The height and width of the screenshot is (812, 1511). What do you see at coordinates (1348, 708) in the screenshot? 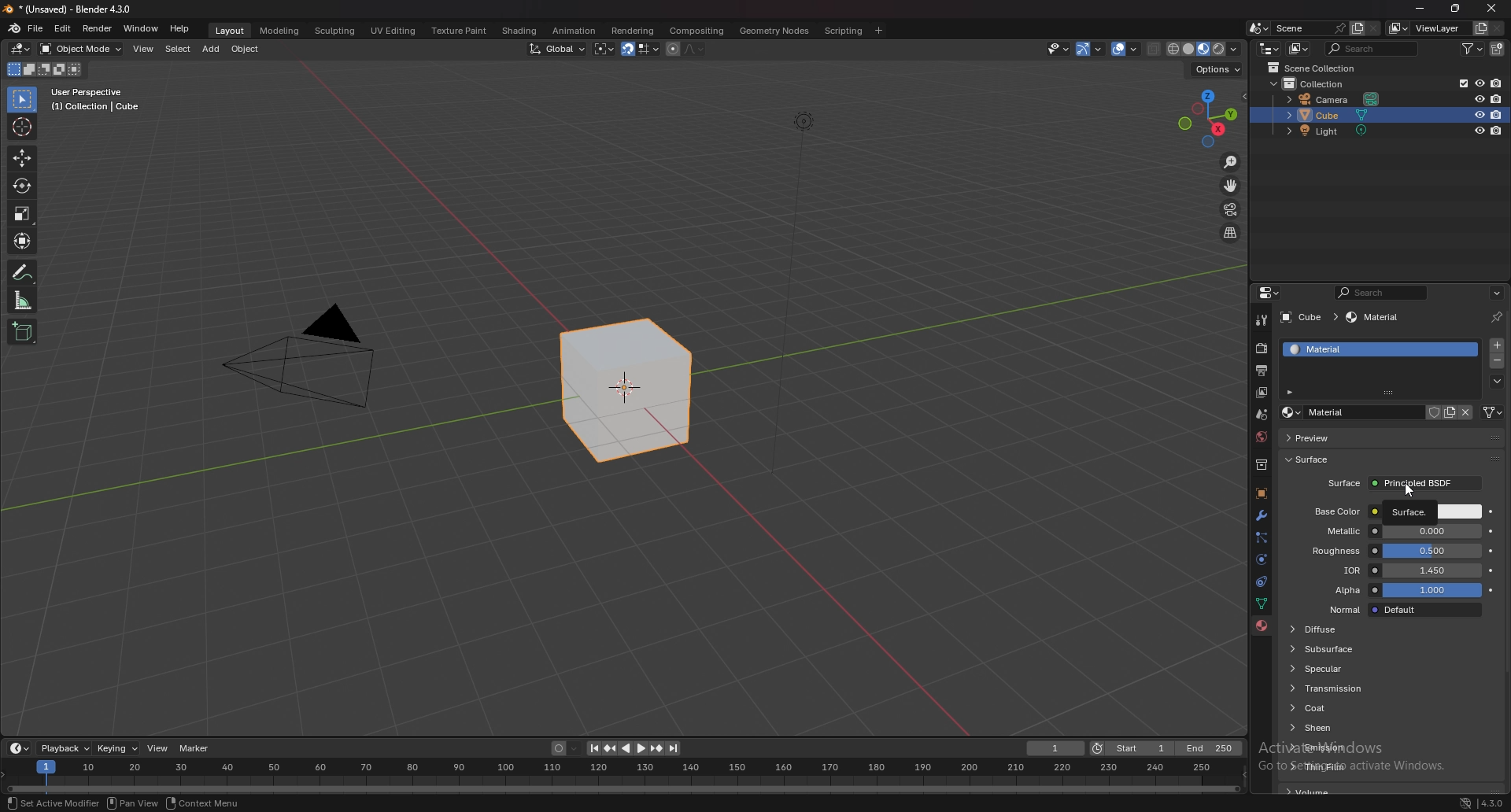
I see `coat` at bounding box center [1348, 708].